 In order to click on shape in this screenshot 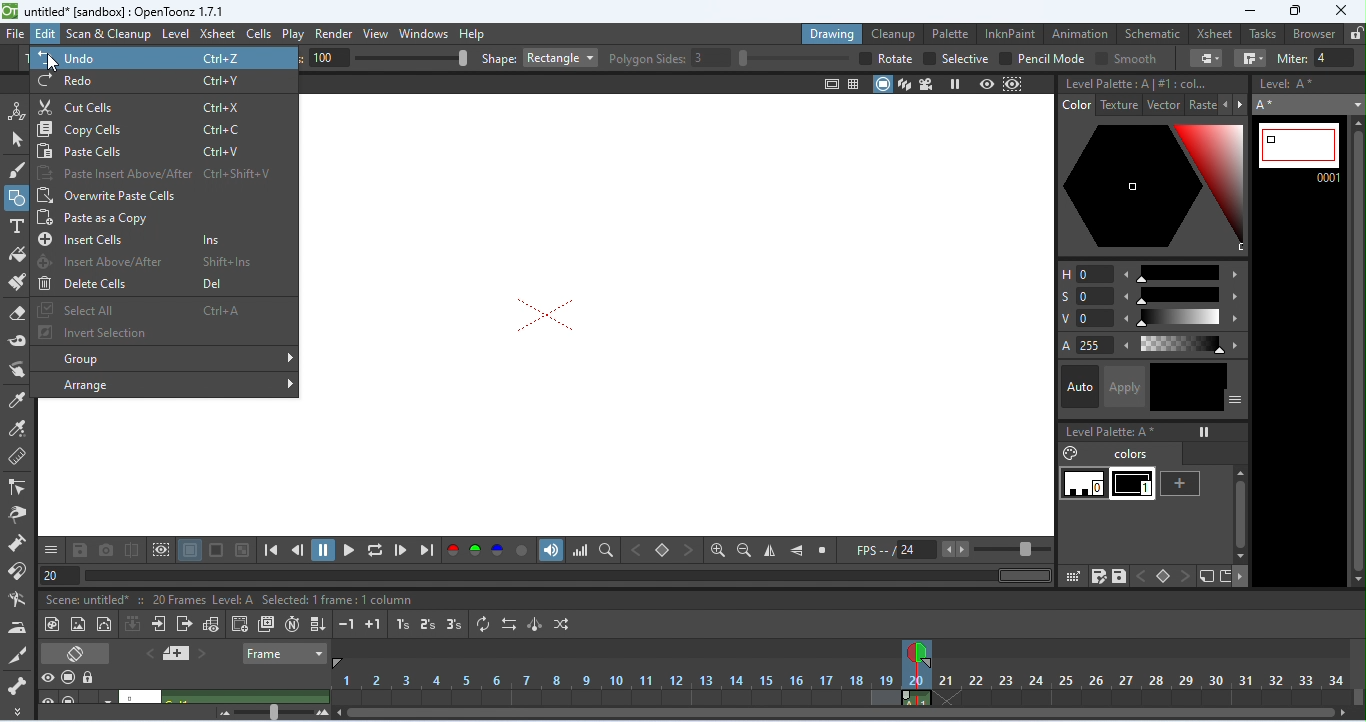, I will do `click(499, 58)`.